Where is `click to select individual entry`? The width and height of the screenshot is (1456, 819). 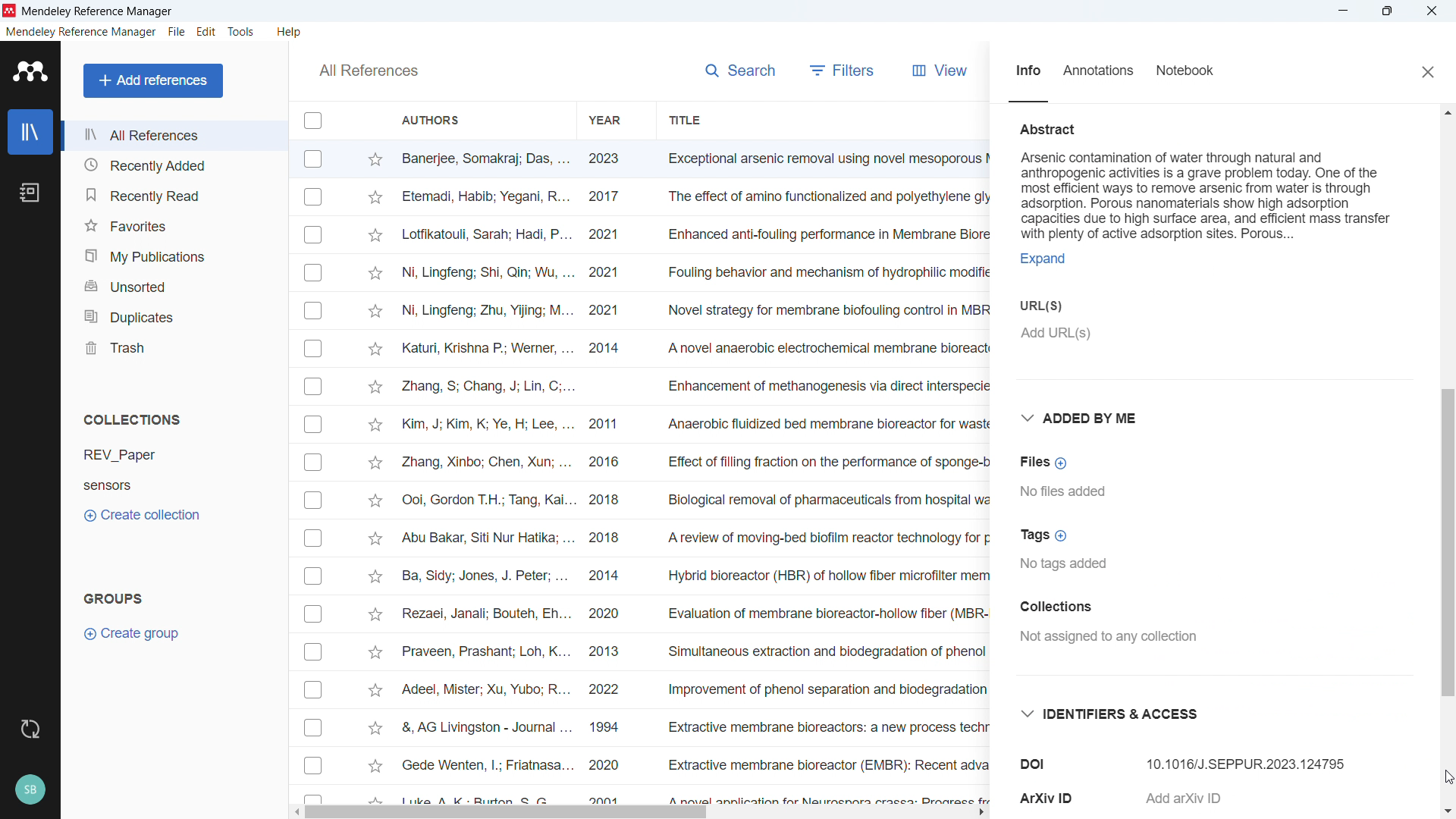
click to select individual entry is located at coordinates (315, 272).